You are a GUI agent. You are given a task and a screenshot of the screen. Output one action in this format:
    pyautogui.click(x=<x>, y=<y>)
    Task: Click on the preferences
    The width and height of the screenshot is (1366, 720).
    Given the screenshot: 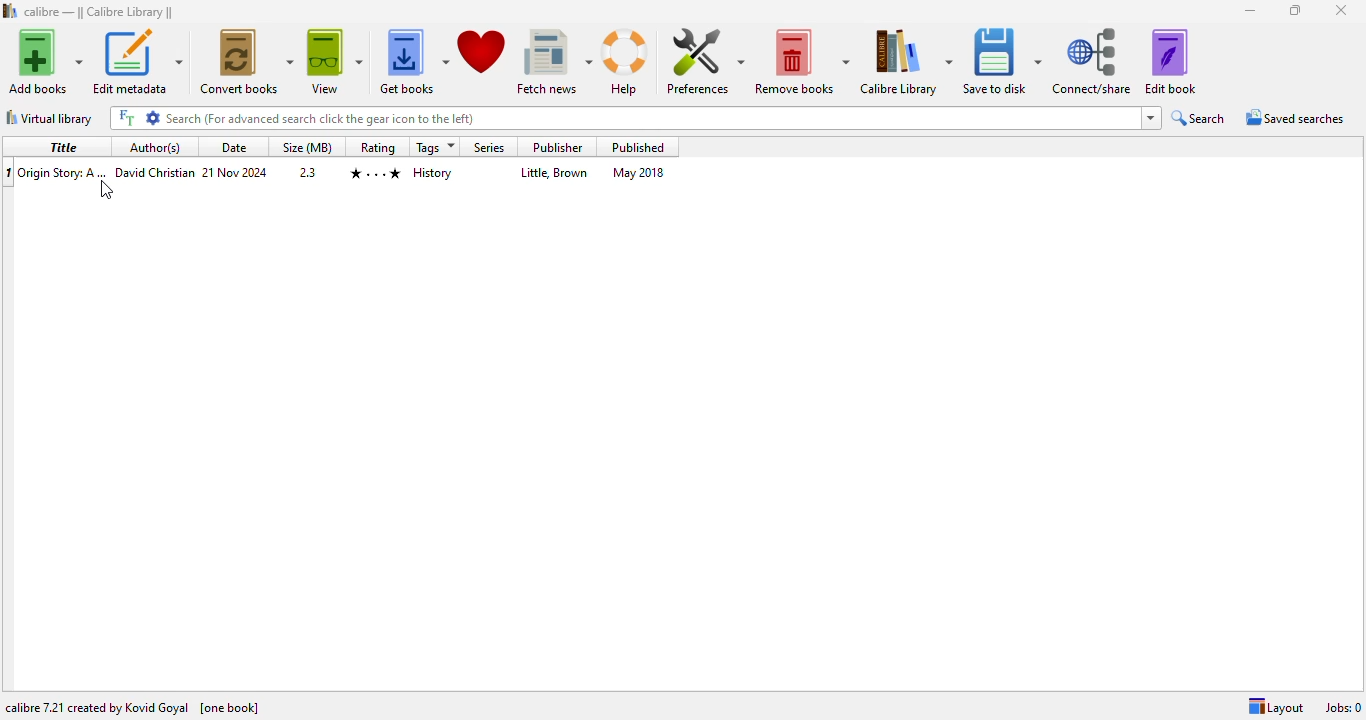 What is the action you would take?
    pyautogui.click(x=705, y=60)
    